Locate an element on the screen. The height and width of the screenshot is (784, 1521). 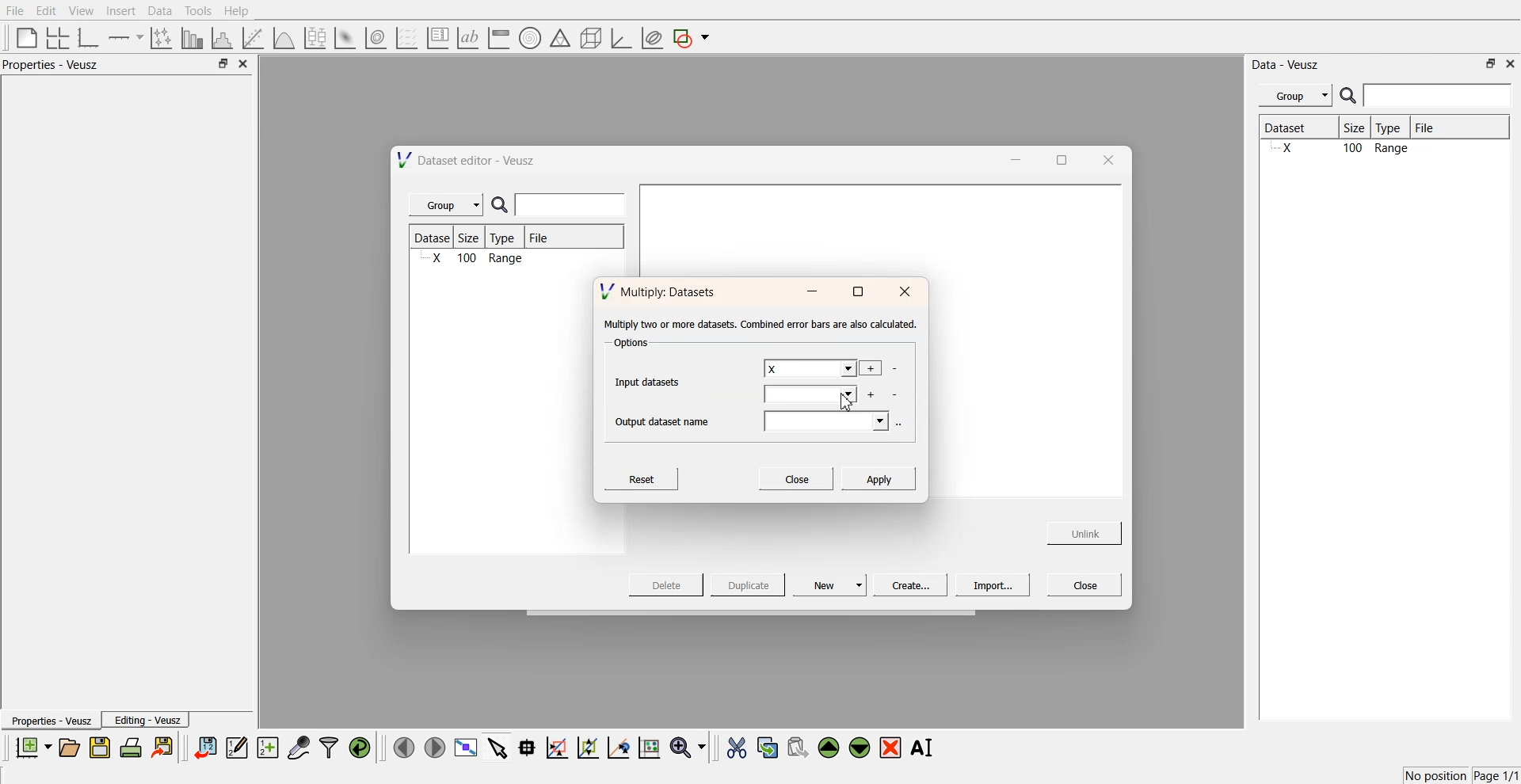
Size is located at coordinates (1359, 129).